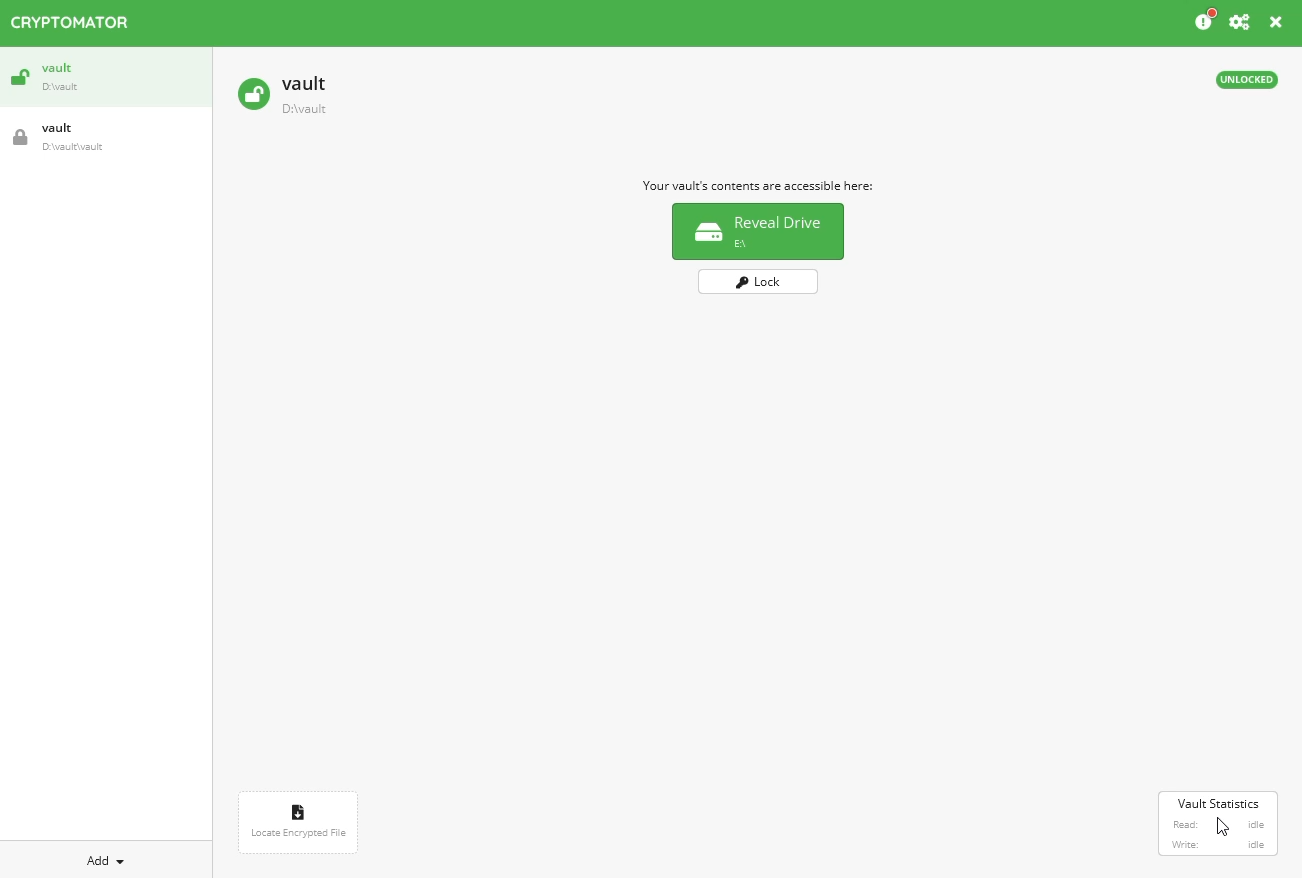 Image resolution: width=1302 pixels, height=878 pixels. Describe the element at coordinates (105, 78) in the screenshot. I see `vault` at that location.